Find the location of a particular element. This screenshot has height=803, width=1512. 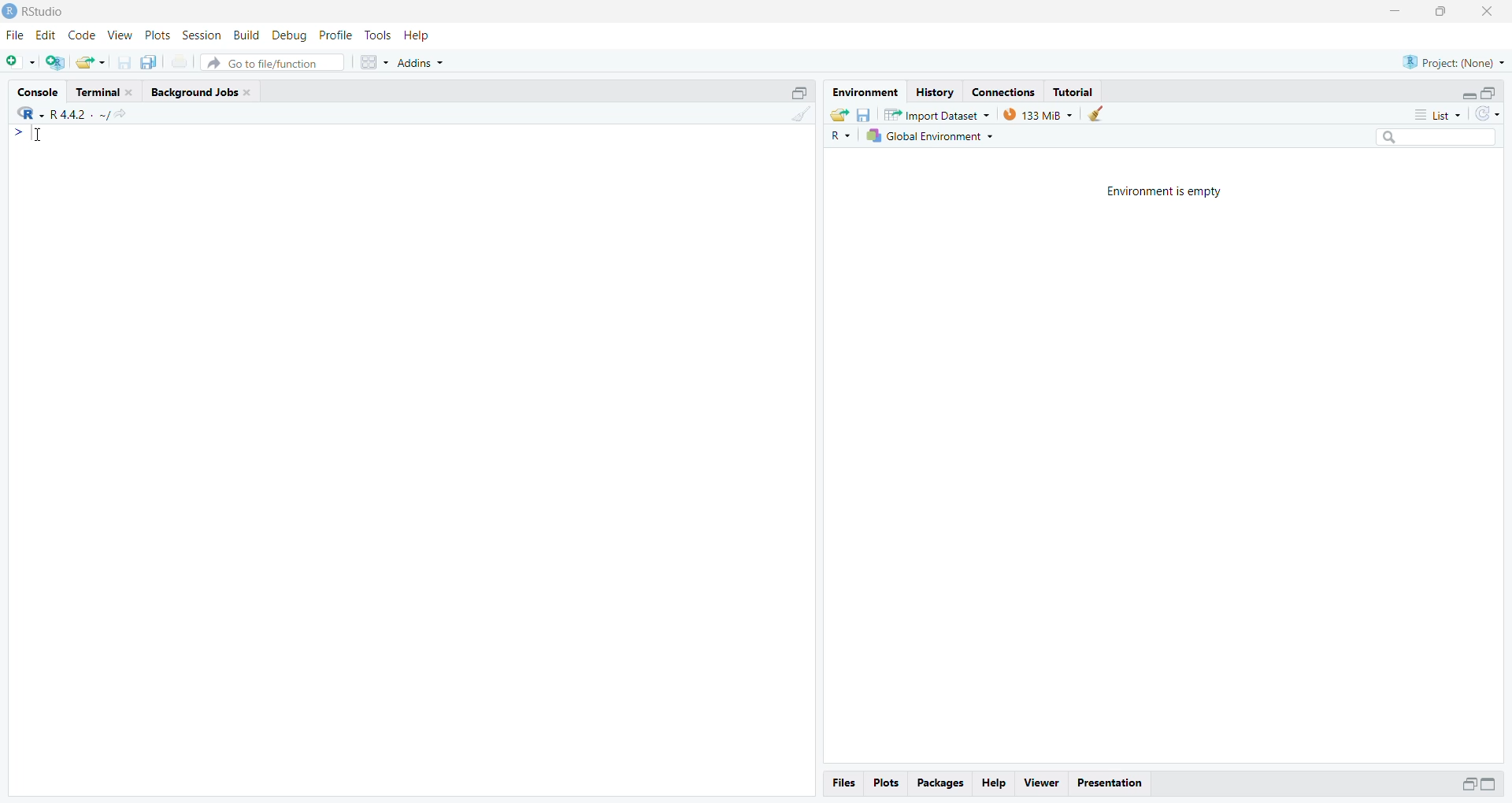

Debug is located at coordinates (290, 37).